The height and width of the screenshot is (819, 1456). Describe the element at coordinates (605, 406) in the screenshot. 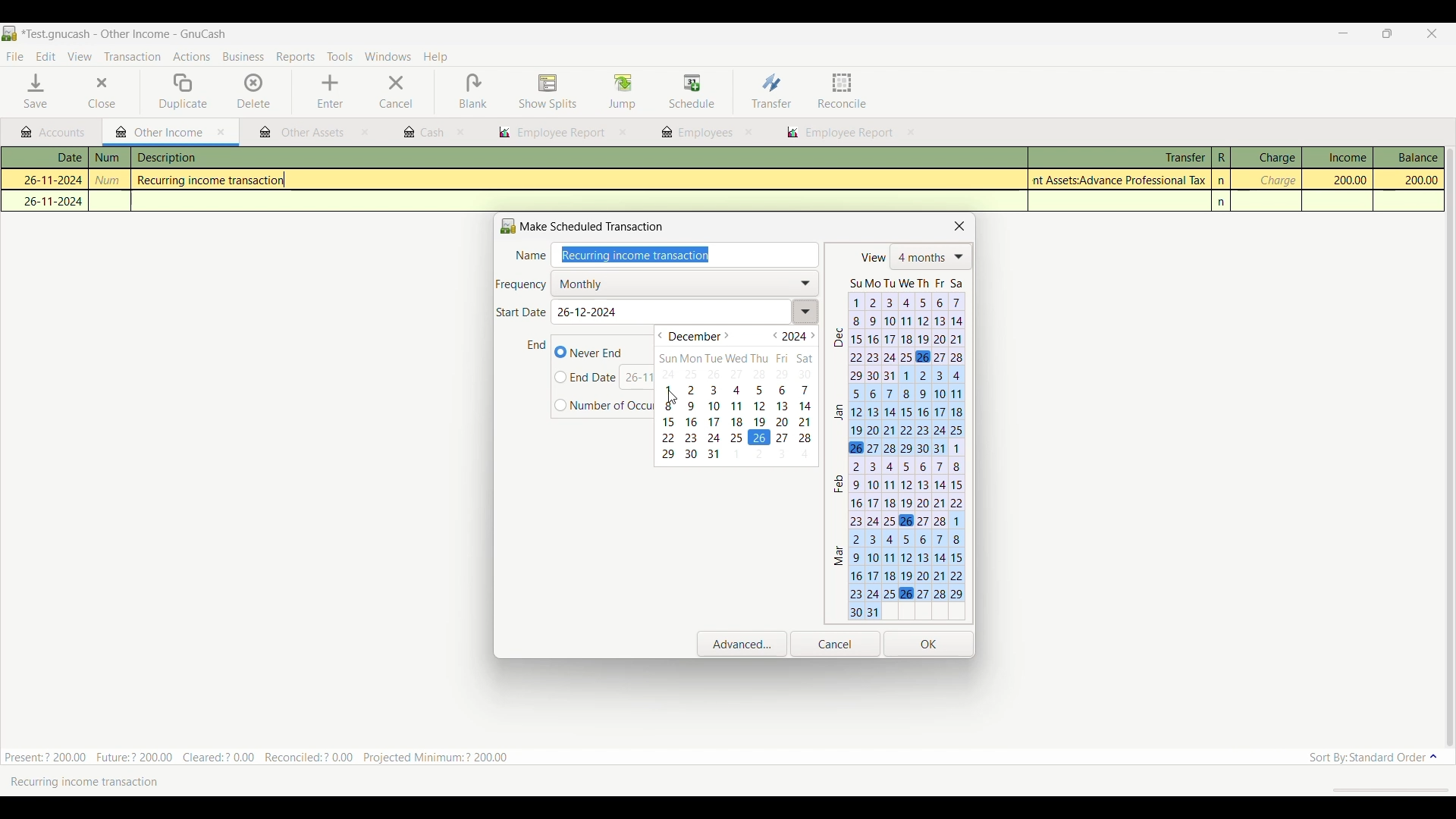

I see `Input number of finite occurrences` at that location.